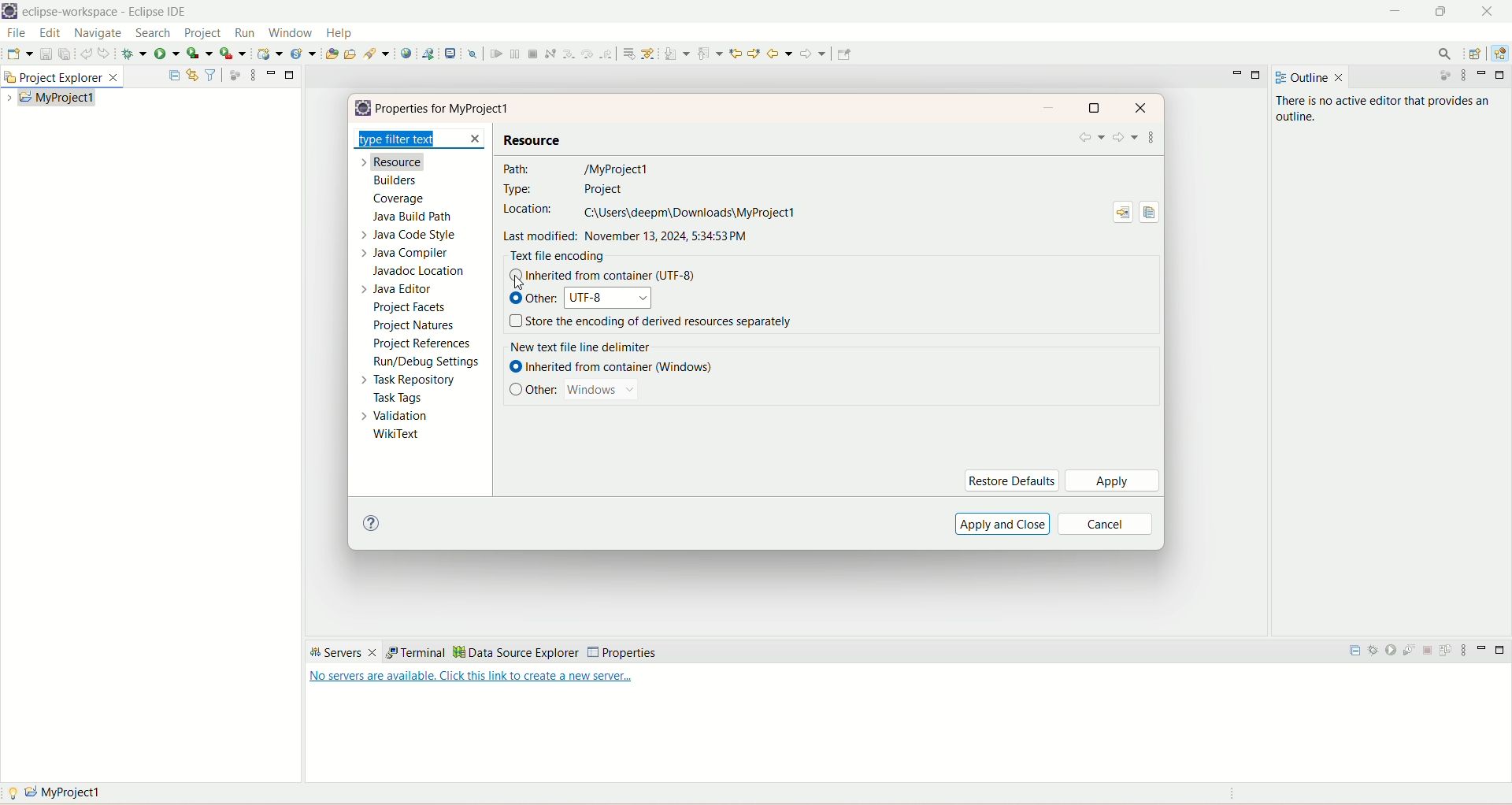 This screenshot has height=805, width=1512. Describe the element at coordinates (15, 34) in the screenshot. I see `file` at that location.